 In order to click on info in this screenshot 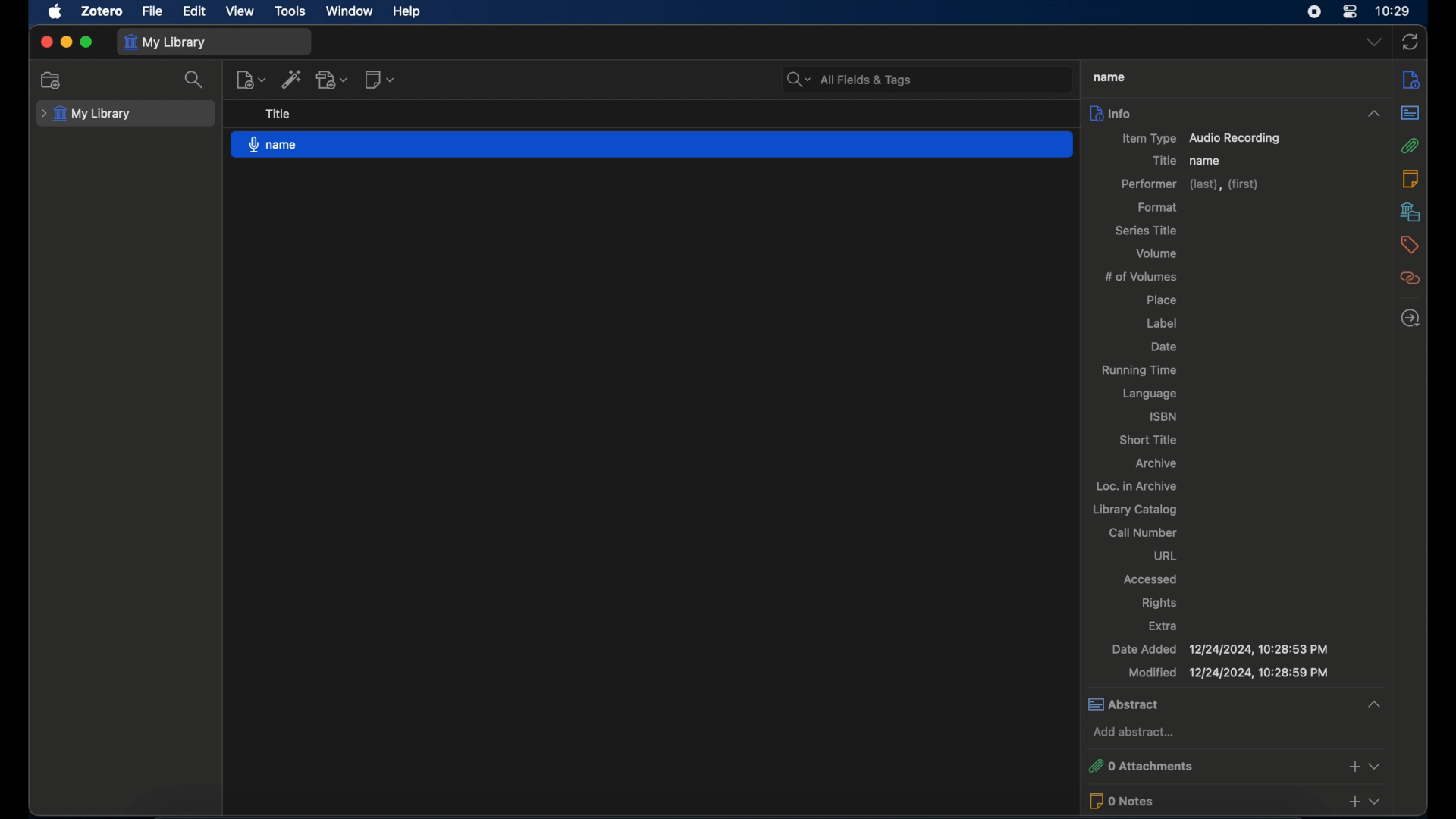, I will do `click(1411, 80)`.